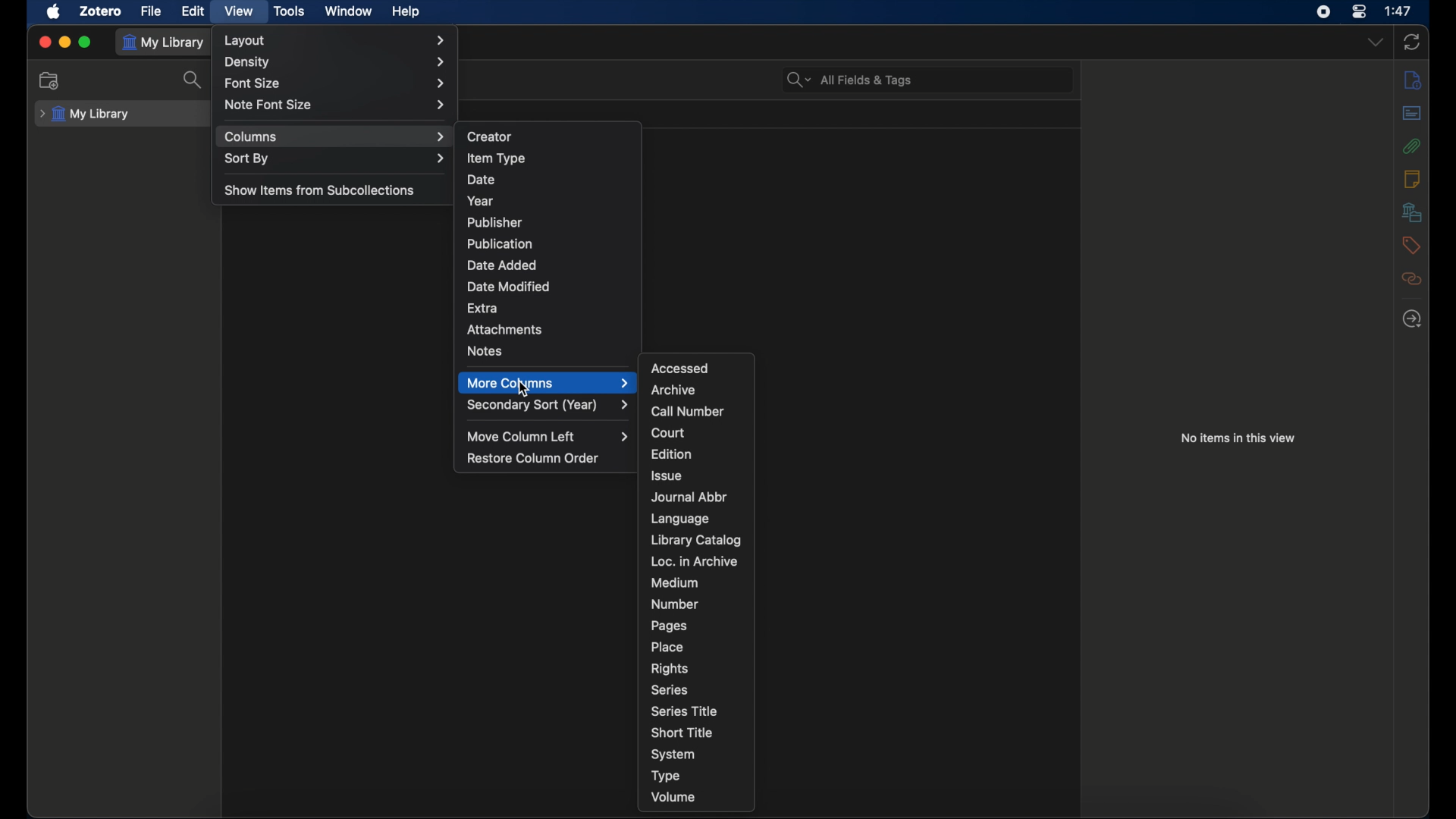 Image resolution: width=1456 pixels, height=819 pixels. What do you see at coordinates (1398, 10) in the screenshot?
I see `time (1:47)` at bounding box center [1398, 10].